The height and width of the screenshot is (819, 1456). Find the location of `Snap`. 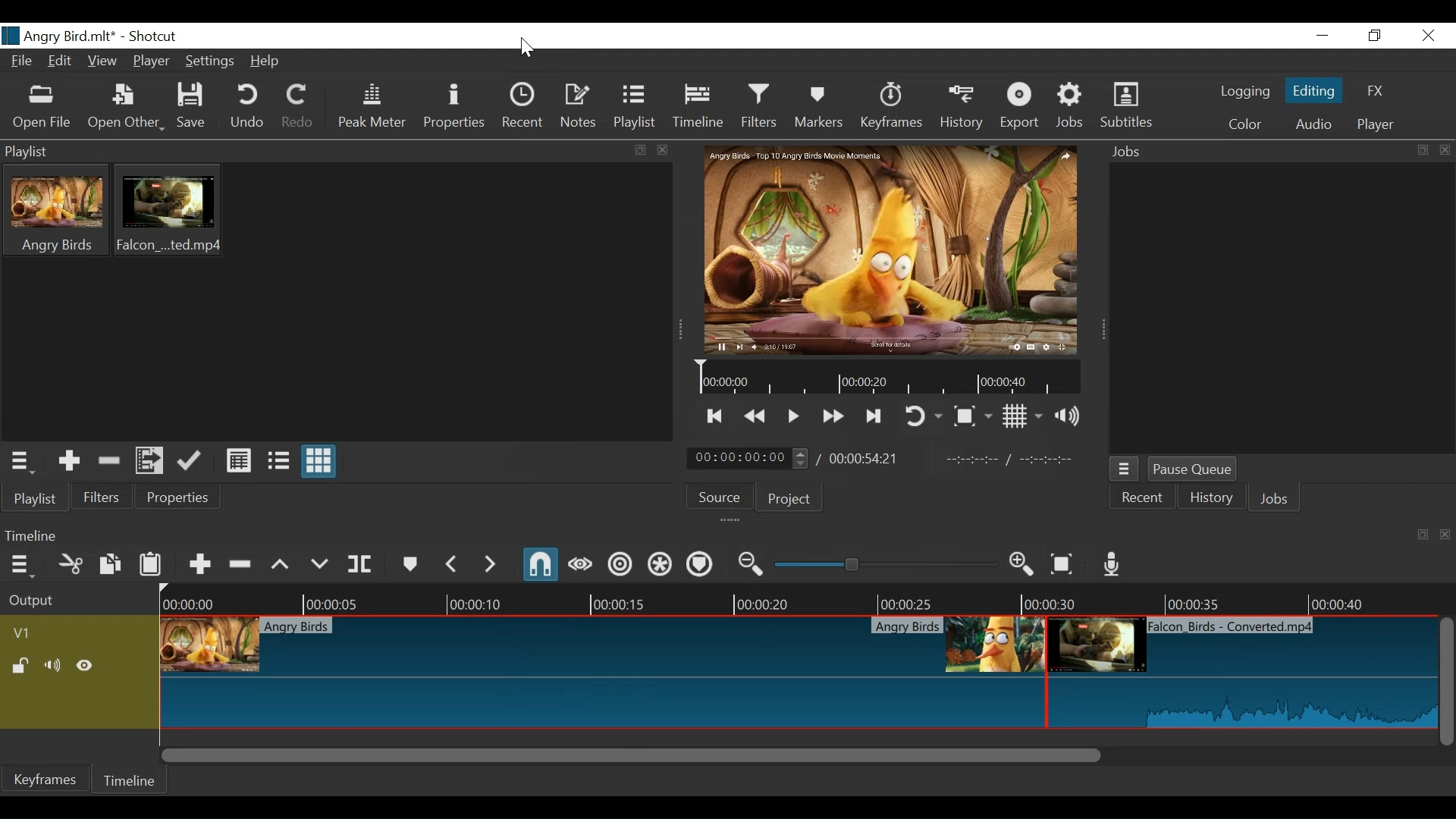

Snap is located at coordinates (539, 564).